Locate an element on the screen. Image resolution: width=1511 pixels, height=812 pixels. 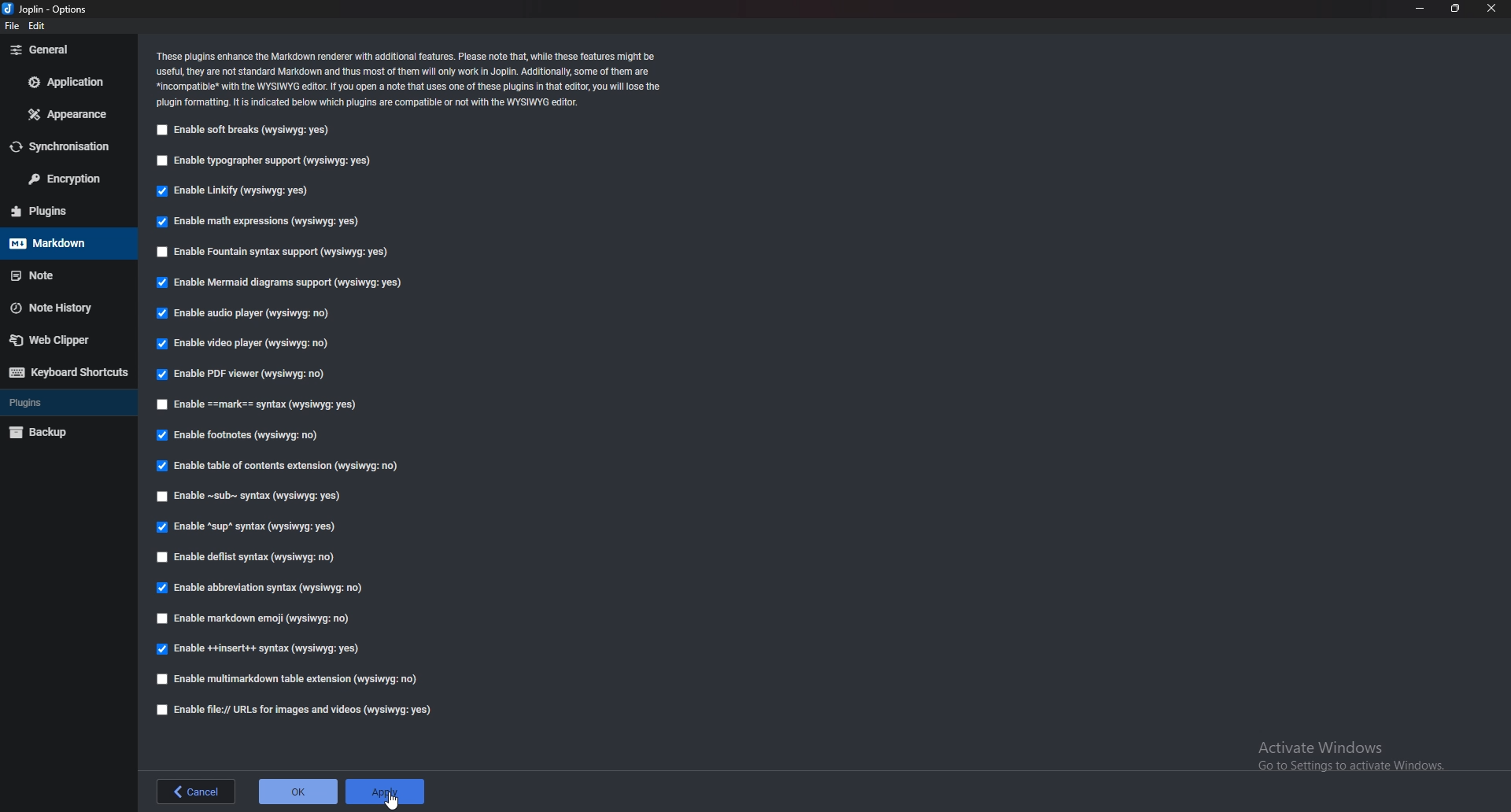
enable Mark Syntax is located at coordinates (282, 406).